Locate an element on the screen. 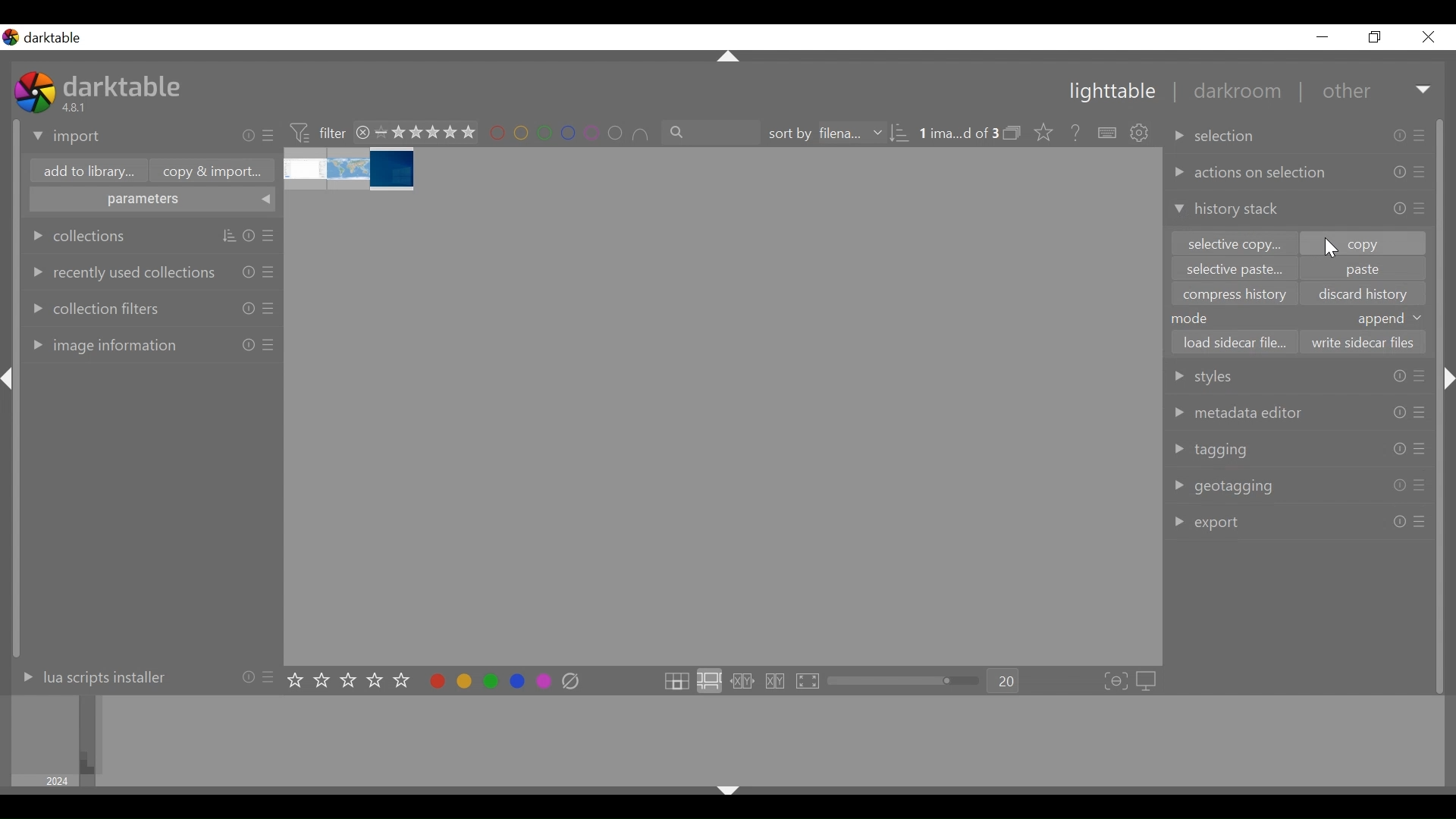 This screenshot has height=819, width=1456. click to enter culling layout in fixed mode is located at coordinates (743, 682).